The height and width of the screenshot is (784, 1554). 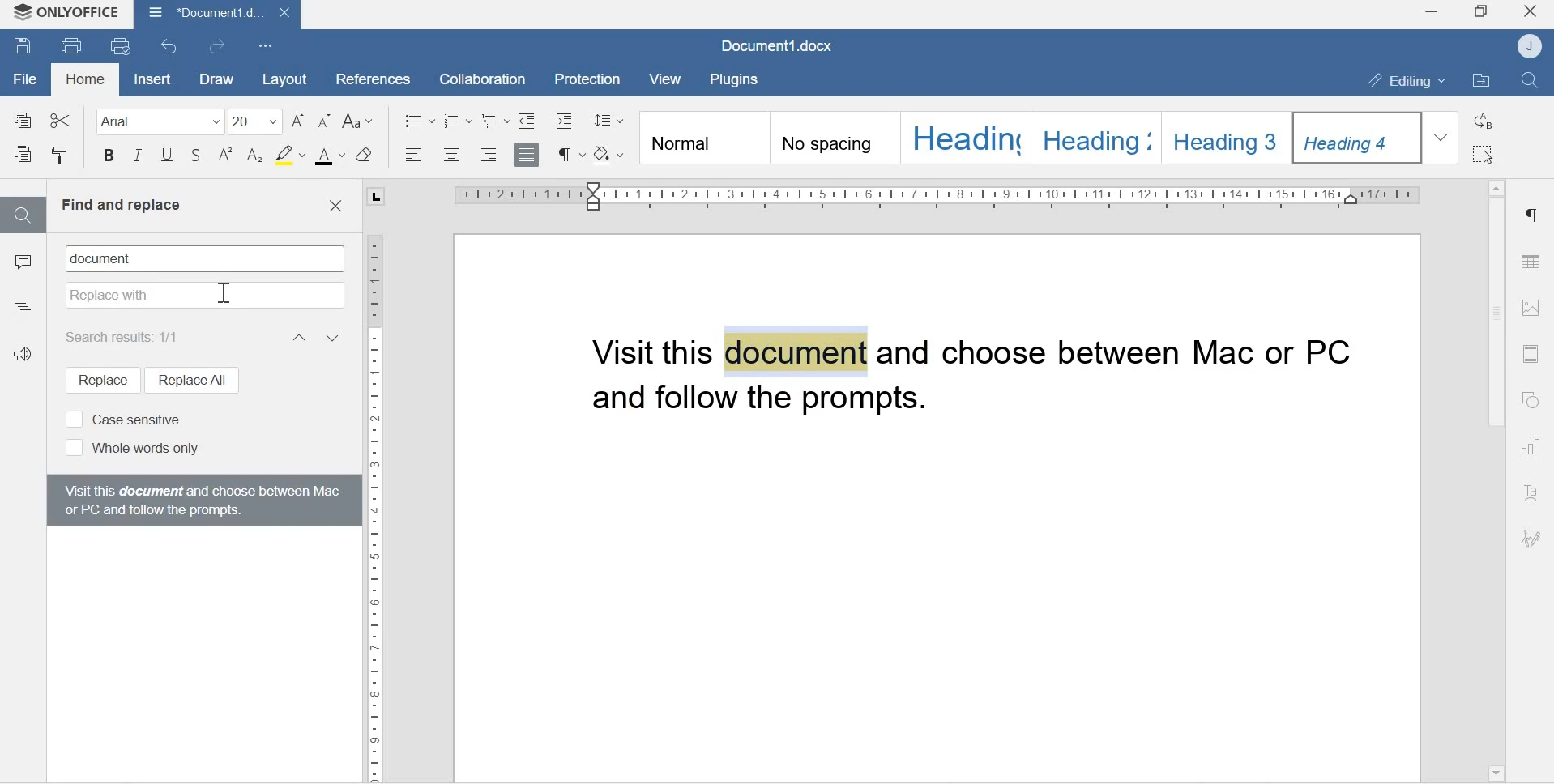 I want to click on Next result, so click(x=335, y=337).